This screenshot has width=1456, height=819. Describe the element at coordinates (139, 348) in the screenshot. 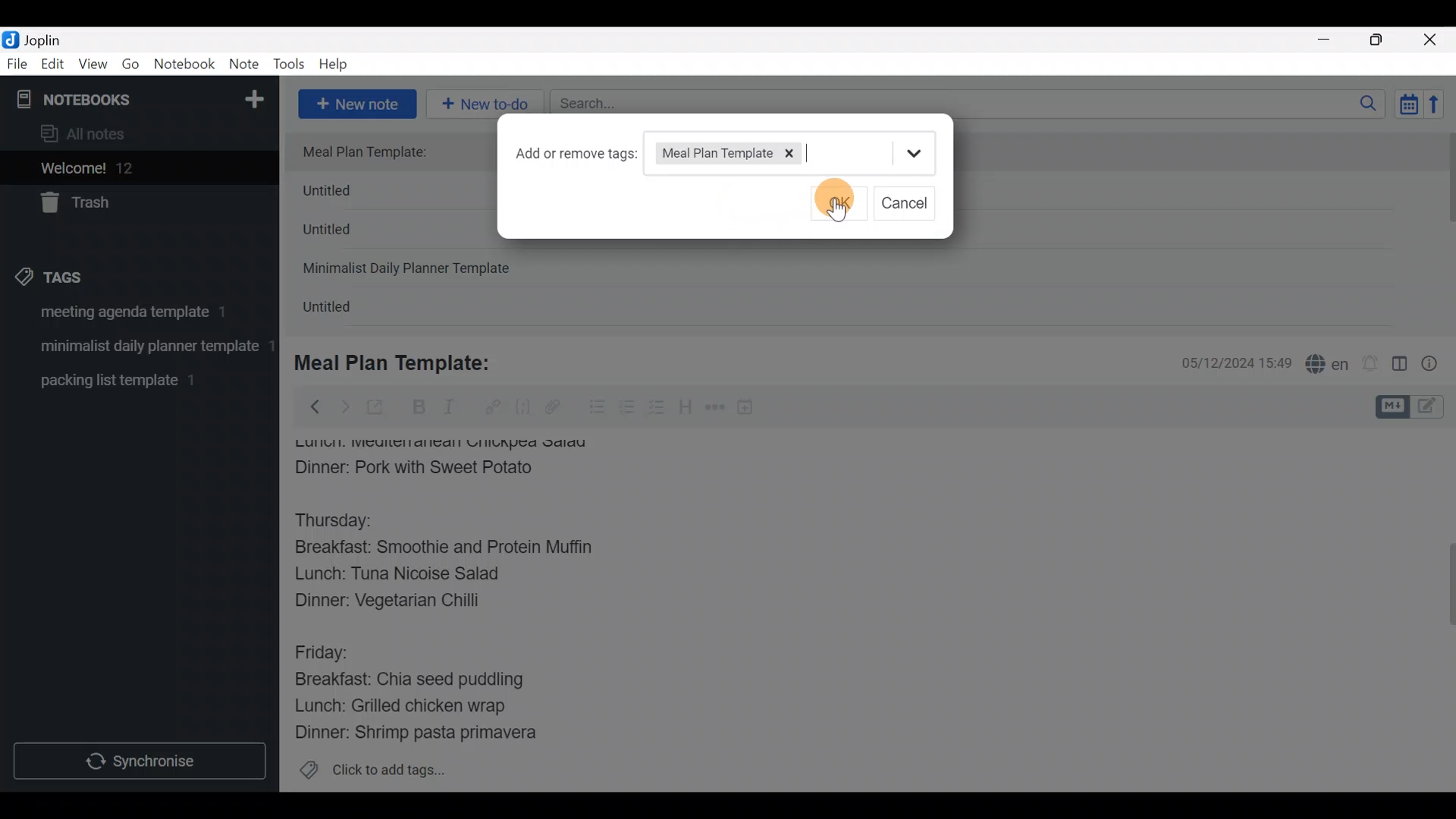

I see `Tag 2` at that location.